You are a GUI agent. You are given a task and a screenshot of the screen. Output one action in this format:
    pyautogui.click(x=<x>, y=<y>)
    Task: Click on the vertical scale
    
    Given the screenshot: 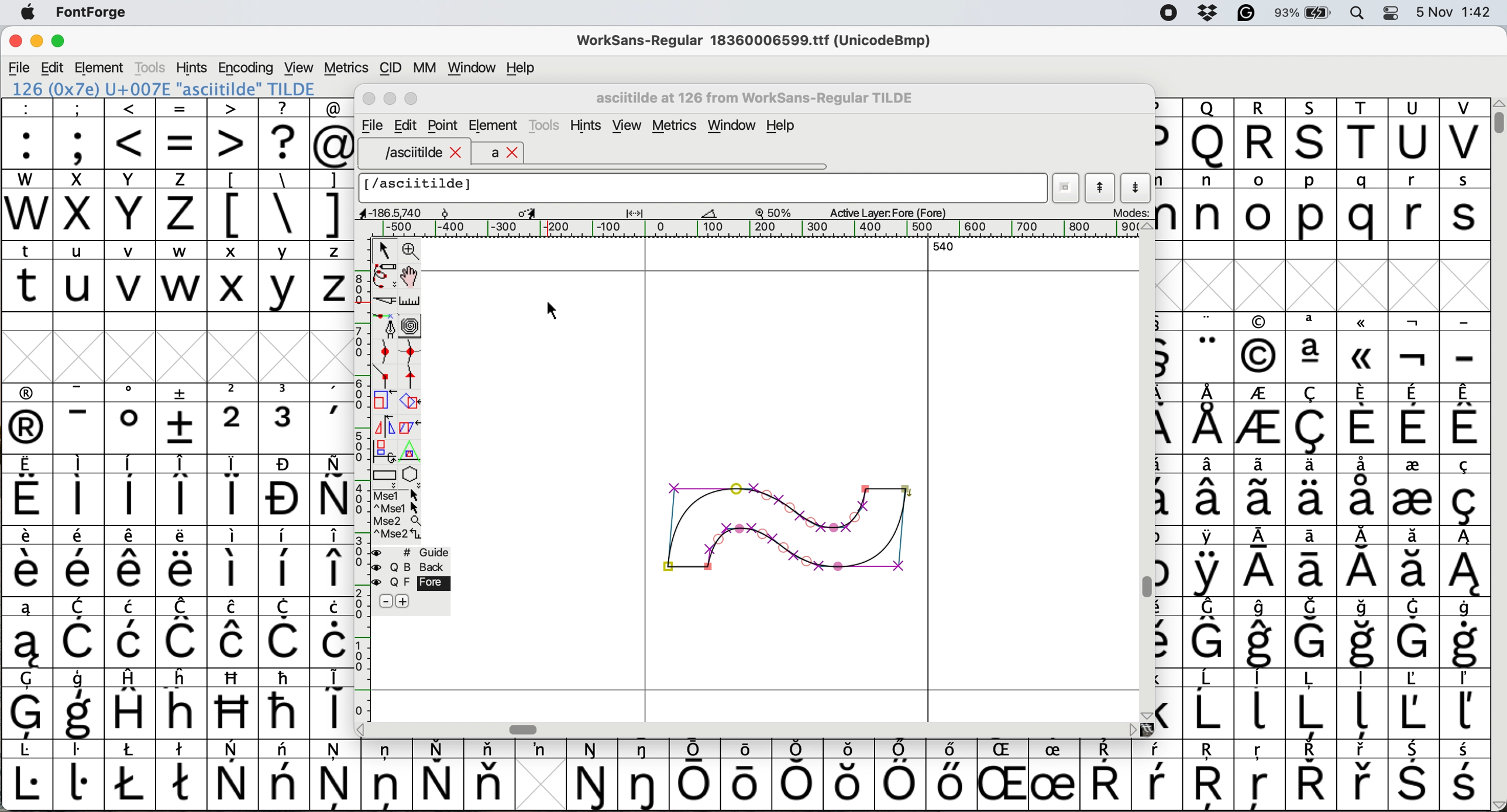 What is the action you would take?
    pyautogui.click(x=361, y=466)
    